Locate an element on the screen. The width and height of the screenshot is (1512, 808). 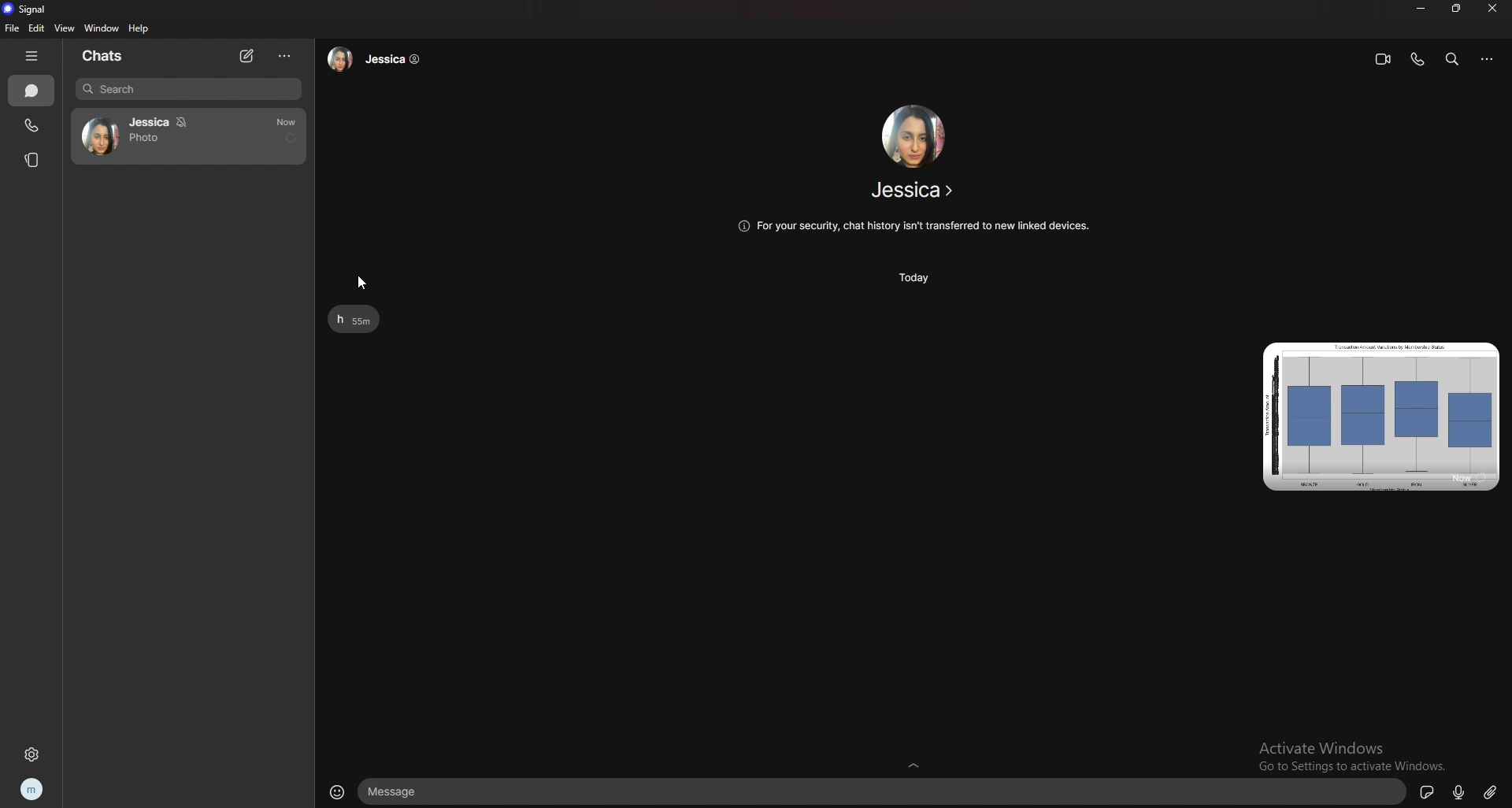
sent photo is located at coordinates (1381, 417).